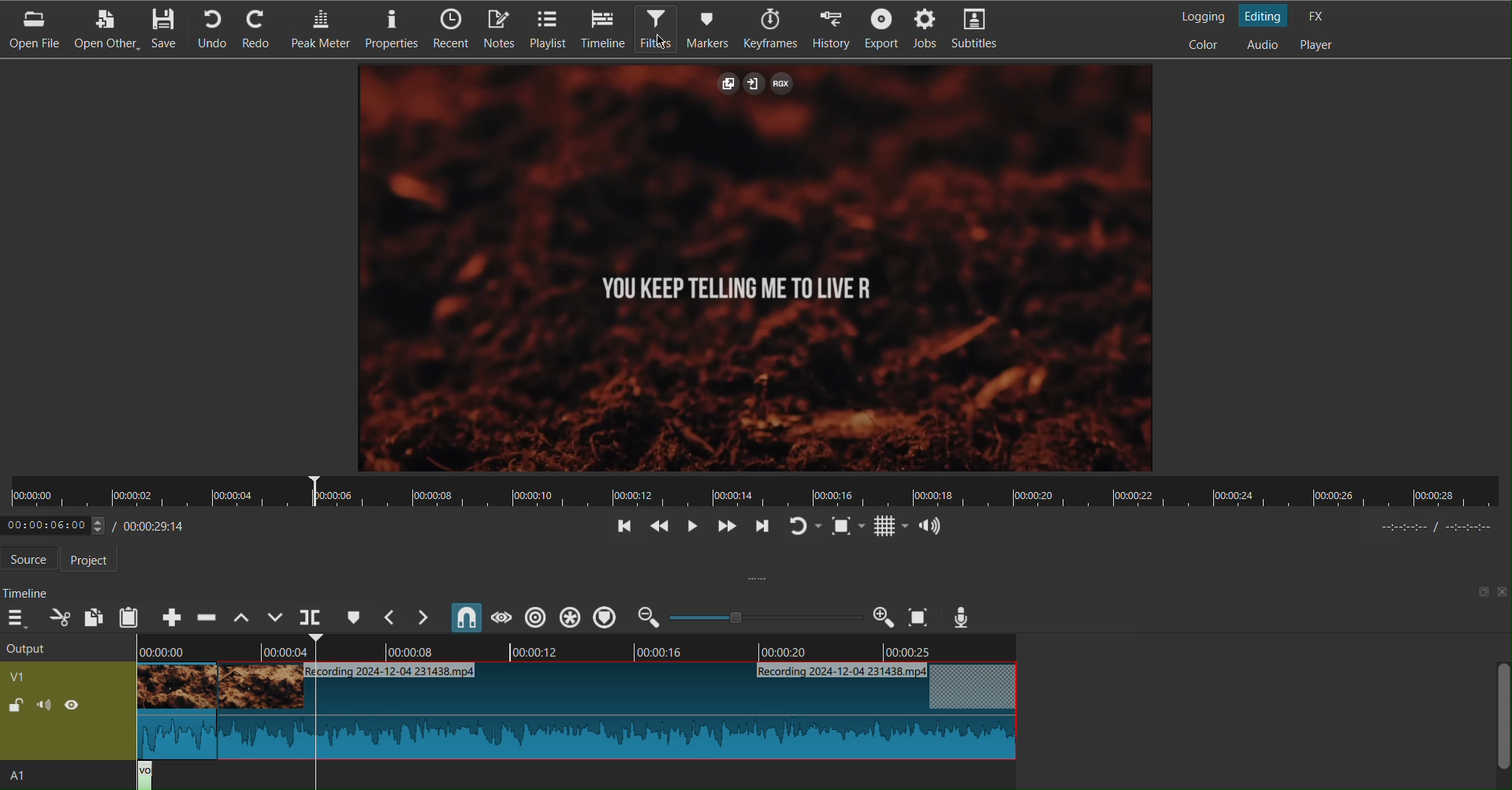  What do you see at coordinates (426, 618) in the screenshot?
I see `Next Marker` at bounding box center [426, 618].